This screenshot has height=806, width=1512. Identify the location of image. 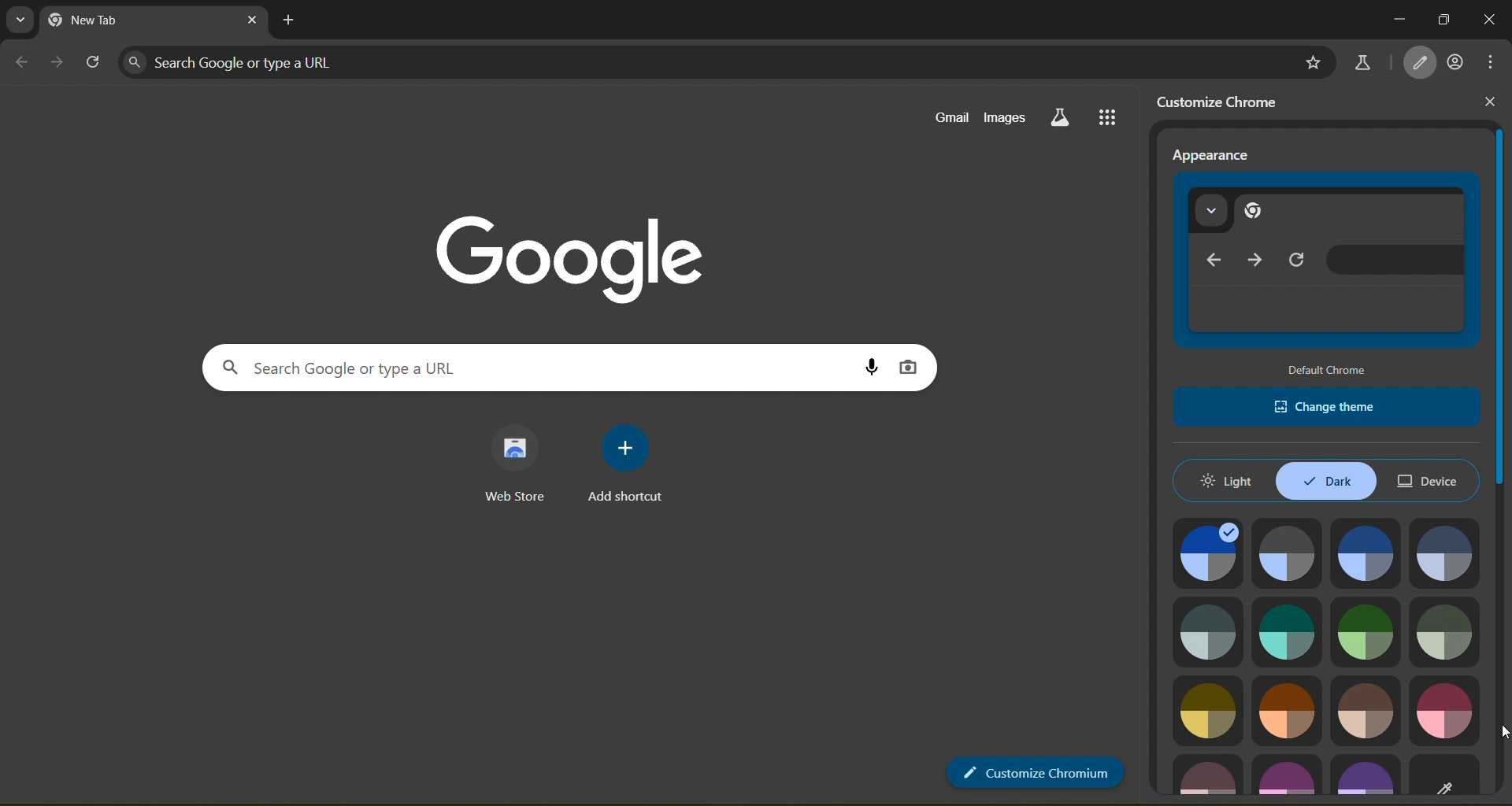
(1369, 553).